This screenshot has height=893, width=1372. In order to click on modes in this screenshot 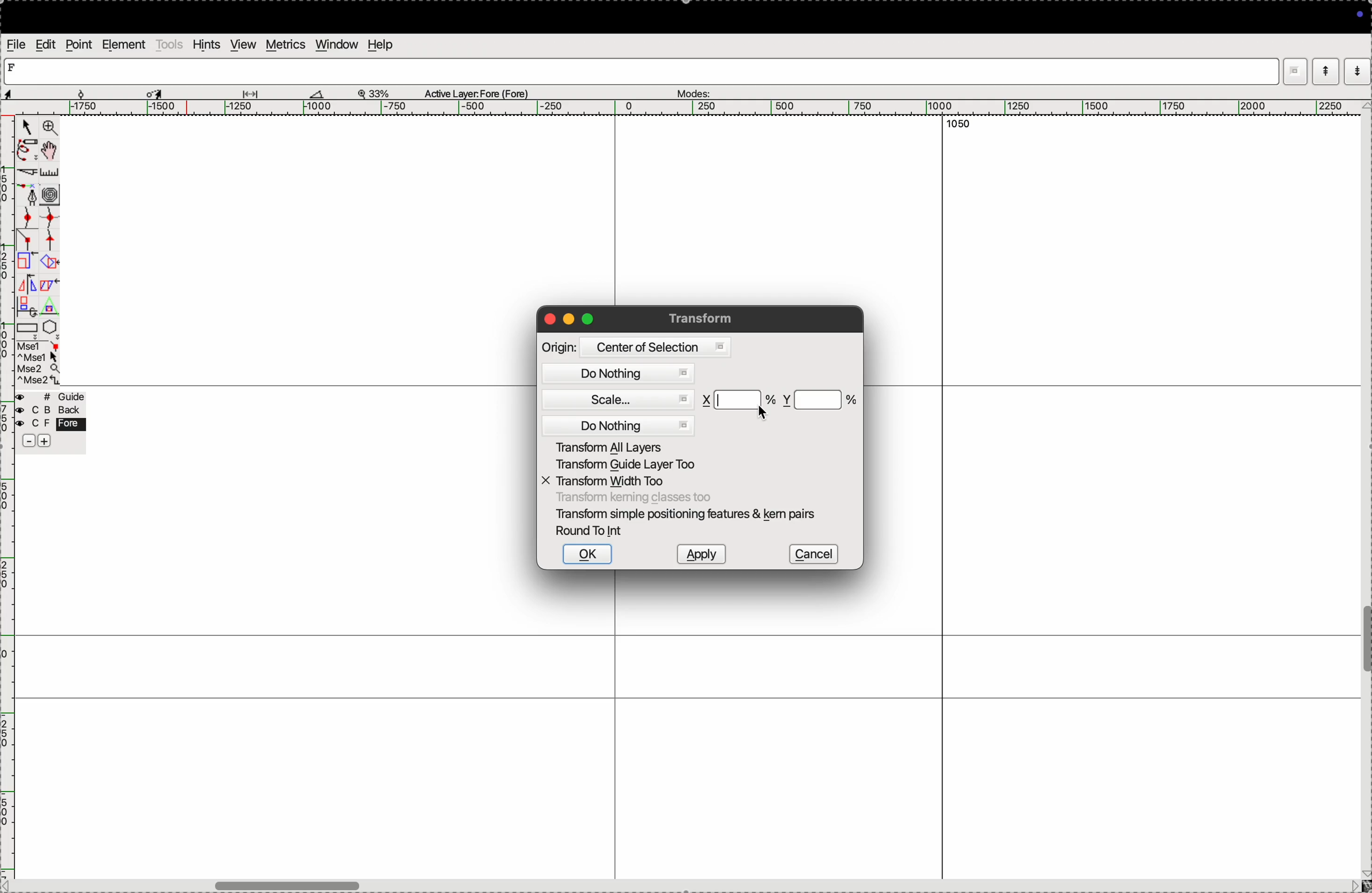, I will do `click(692, 91)`.